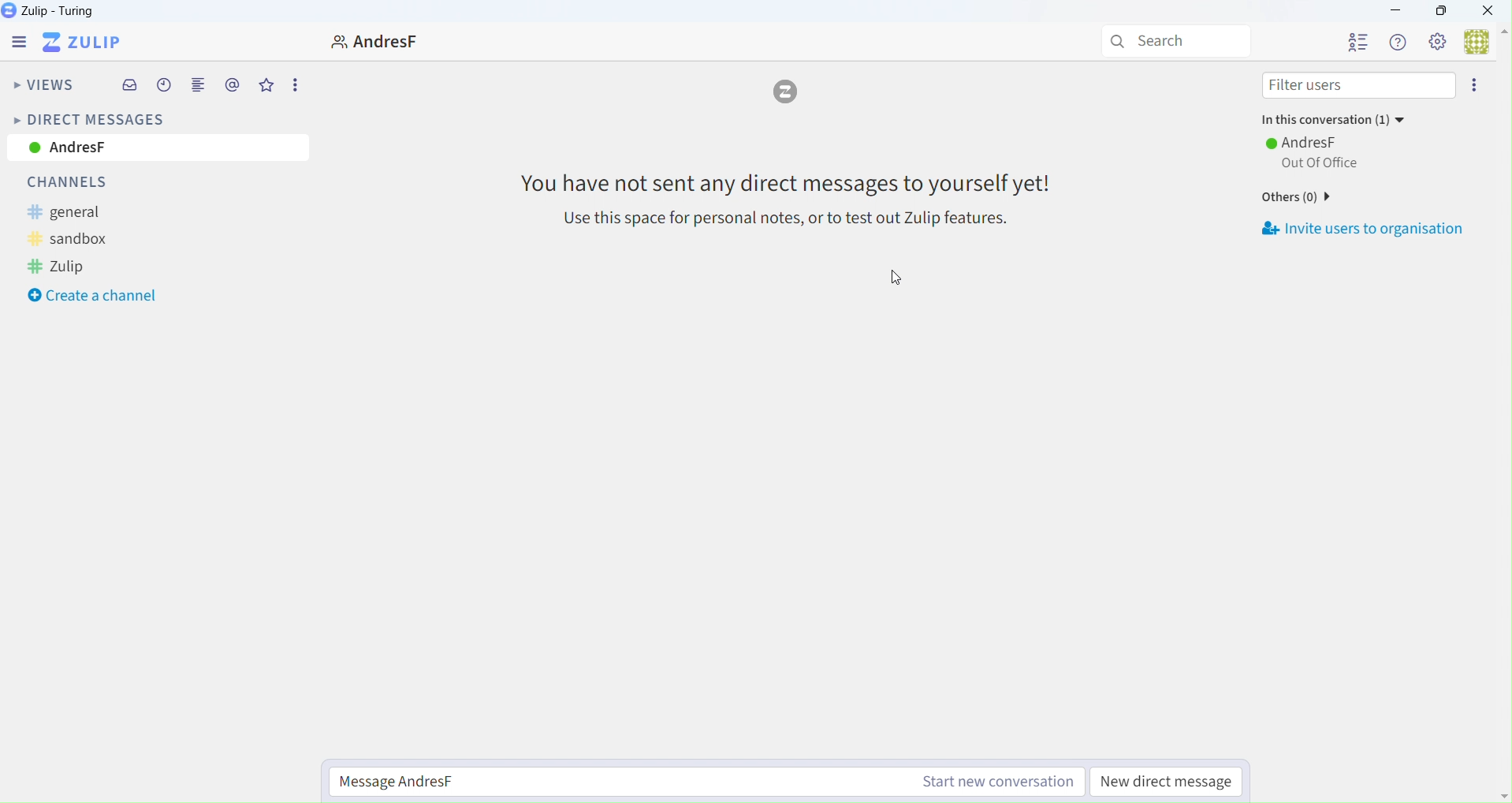  Describe the element at coordinates (76, 213) in the screenshot. I see `general` at that location.